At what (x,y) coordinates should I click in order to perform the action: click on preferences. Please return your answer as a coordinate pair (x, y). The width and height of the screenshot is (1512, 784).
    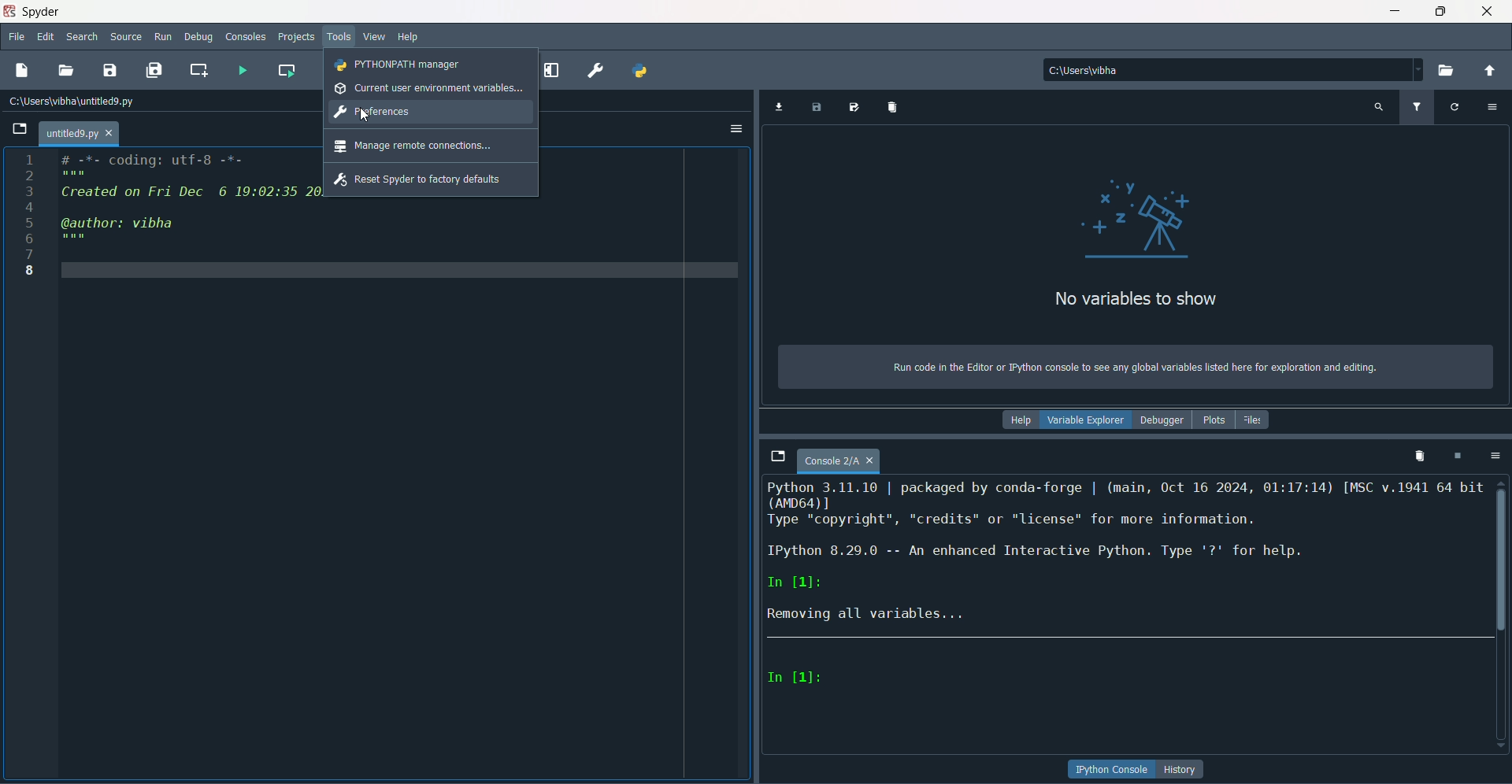
    Looking at the image, I should click on (594, 71).